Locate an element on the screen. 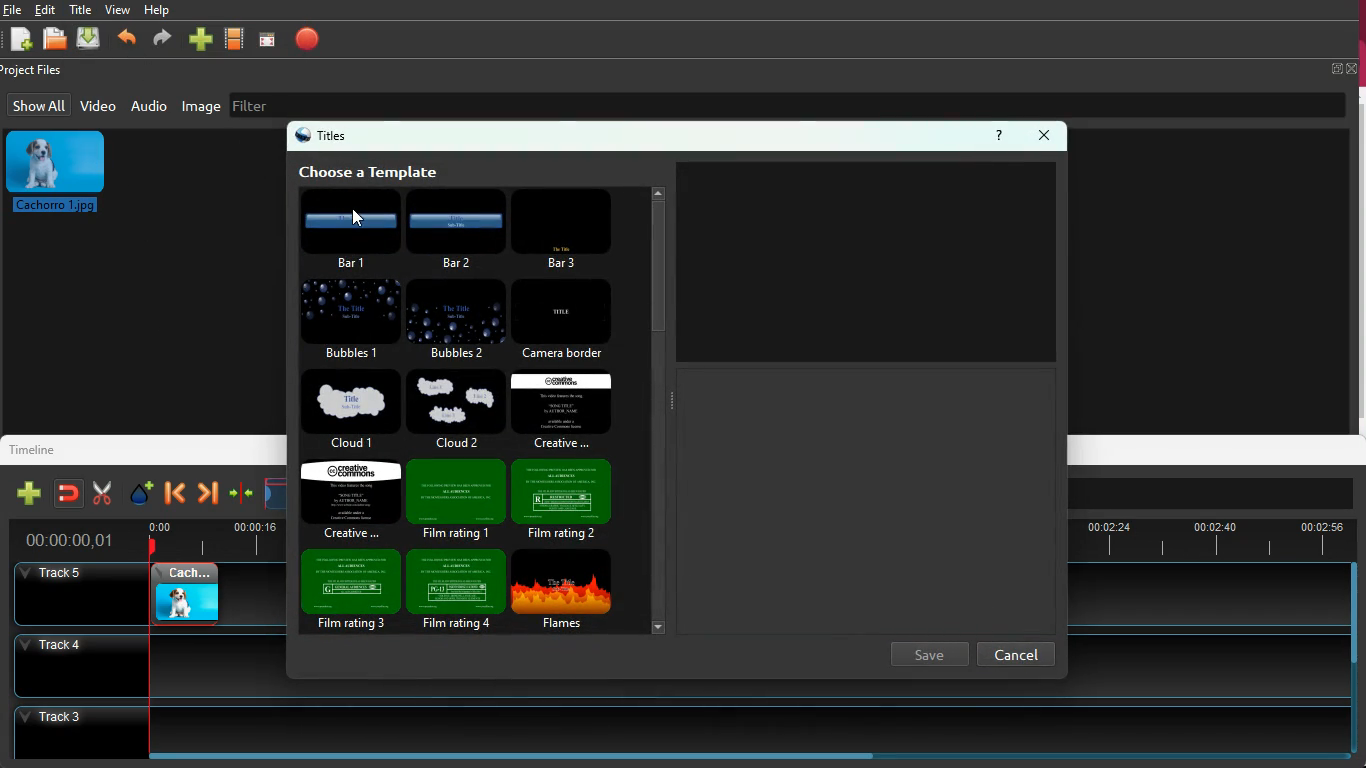 The image size is (1366, 768). show all is located at coordinates (39, 105).